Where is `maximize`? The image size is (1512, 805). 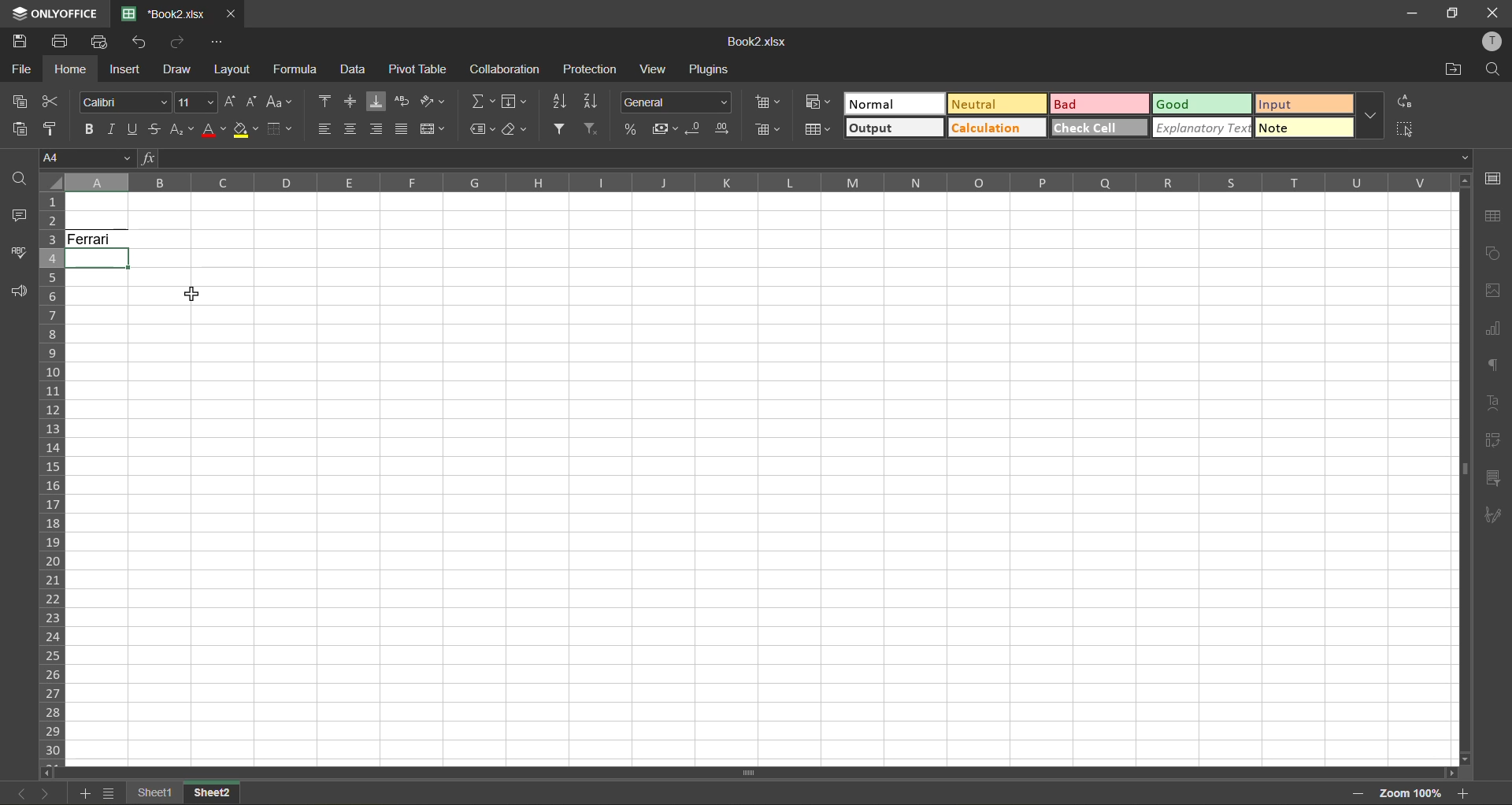
maximize is located at coordinates (1451, 12).